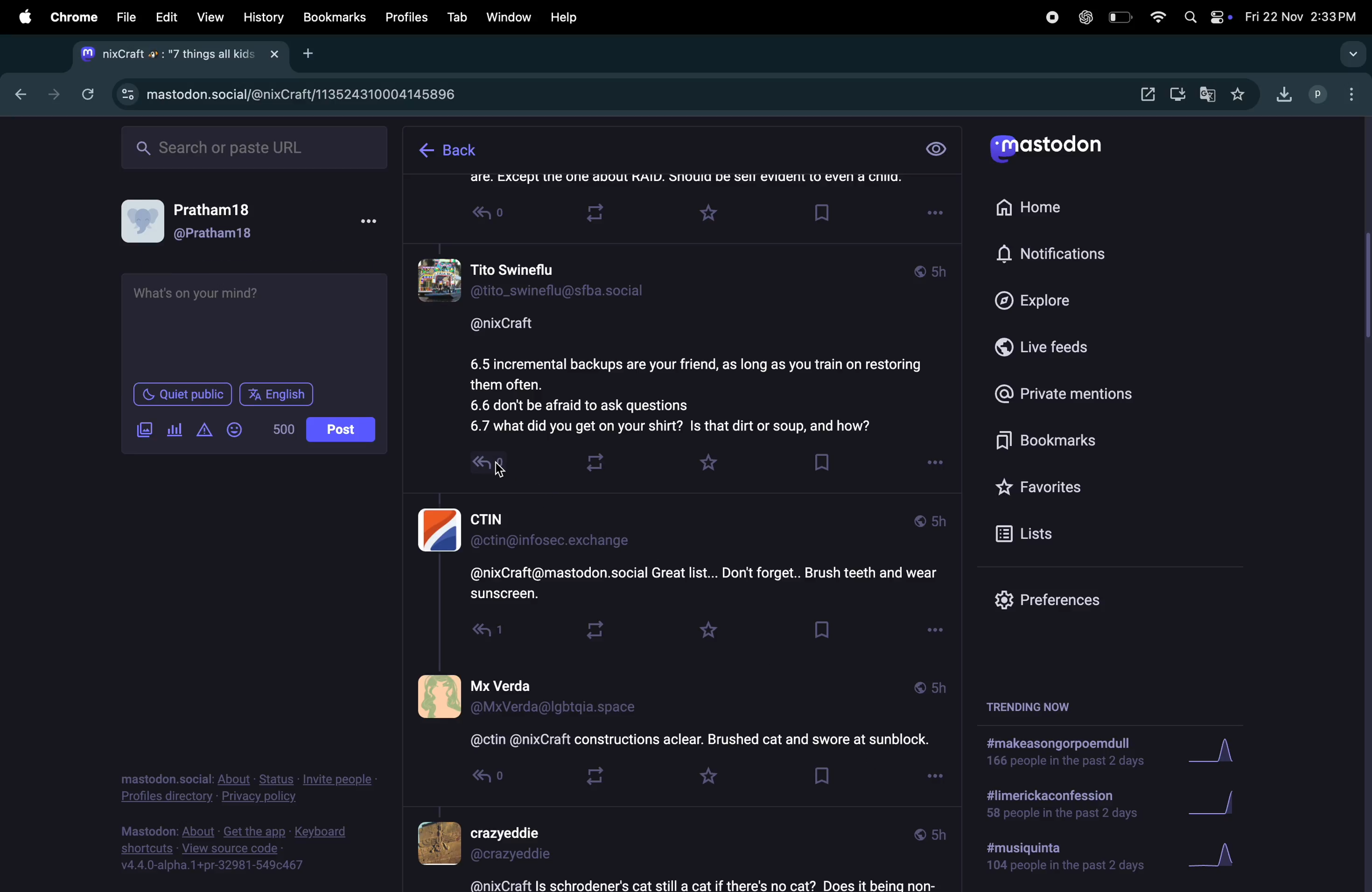 The height and width of the screenshot is (892, 1372). Describe the element at coordinates (703, 629) in the screenshot. I see `Favourite` at that location.